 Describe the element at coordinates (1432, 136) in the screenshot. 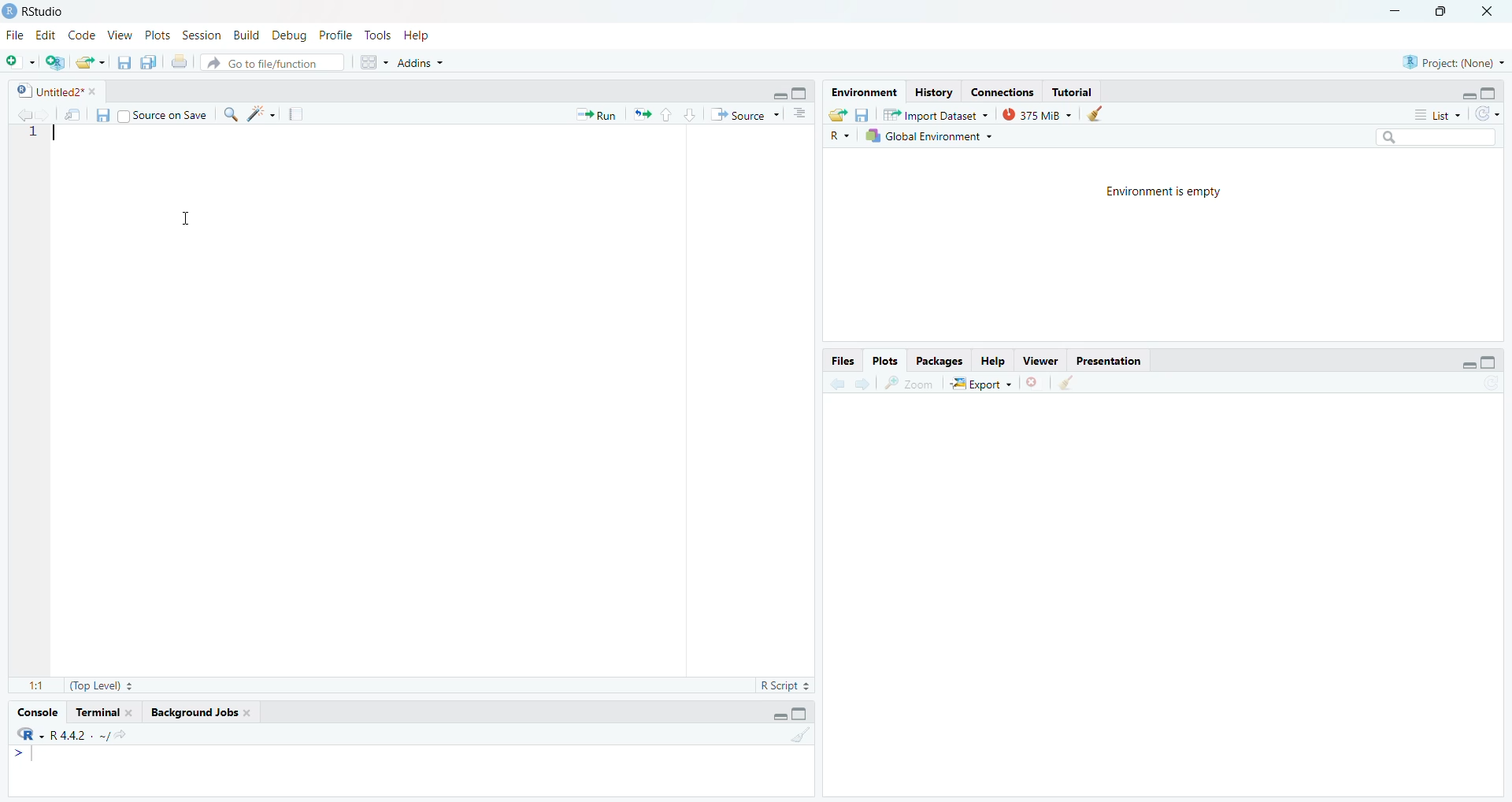

I see `search bar` at that location.